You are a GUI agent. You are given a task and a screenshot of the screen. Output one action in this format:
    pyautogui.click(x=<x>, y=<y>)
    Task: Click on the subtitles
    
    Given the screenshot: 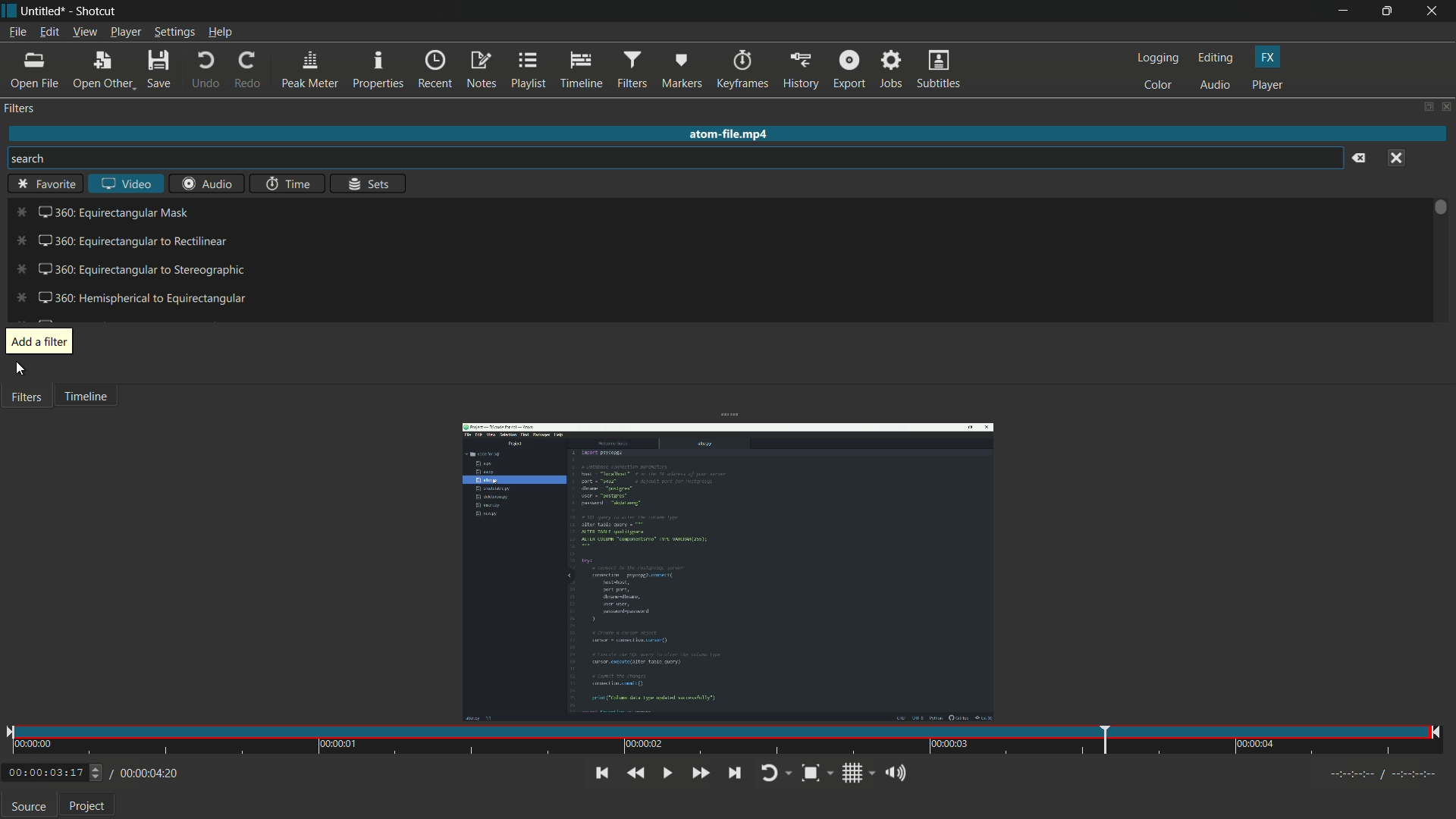 What is the action you would take?
    pyautogui.click(x=941, y=70)
    